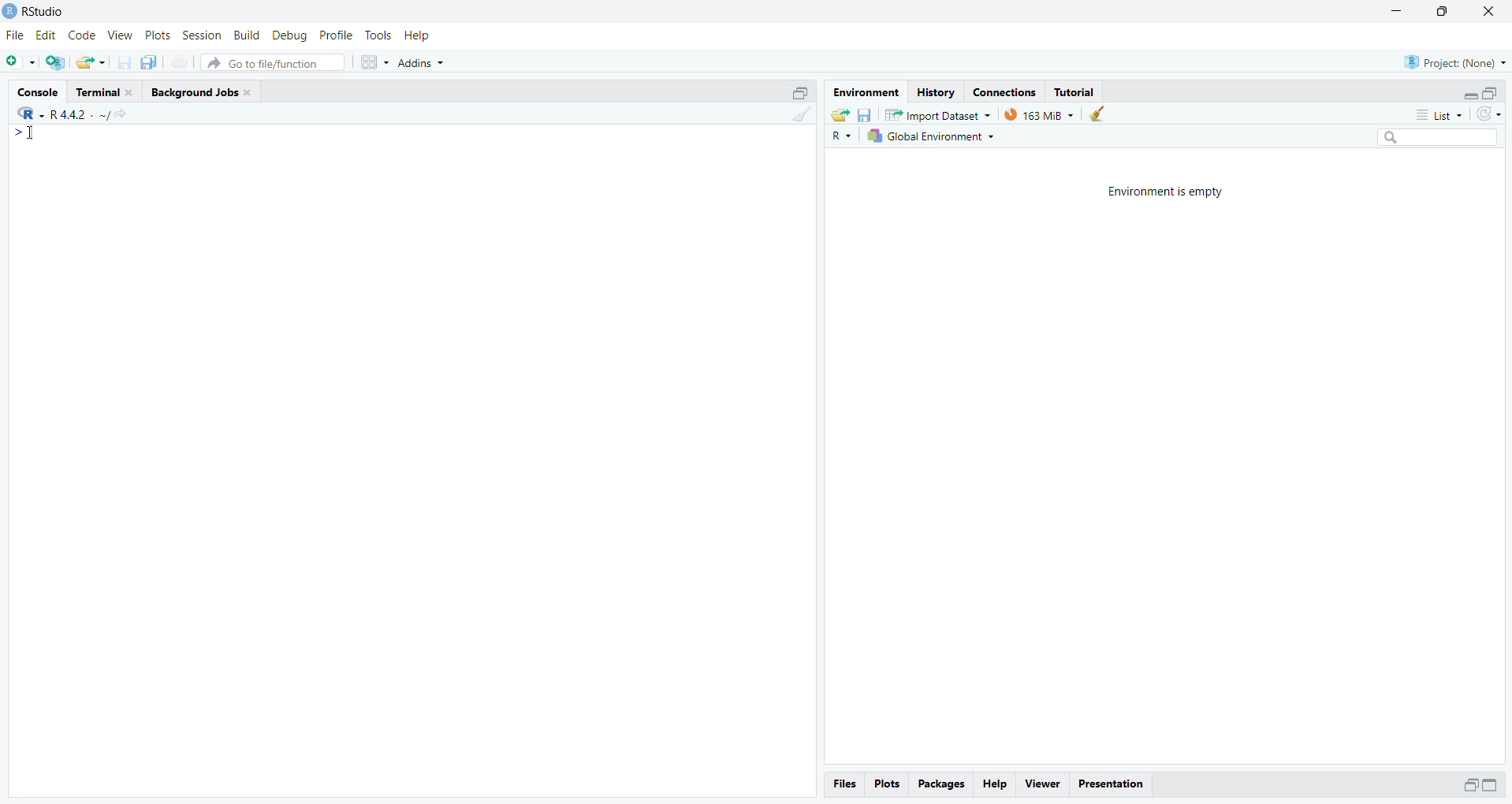 The height and width of the screenshot is (804, 1512). Describe the element at coordinates (55, 62) in the screenshot. I see `add file` at that location.